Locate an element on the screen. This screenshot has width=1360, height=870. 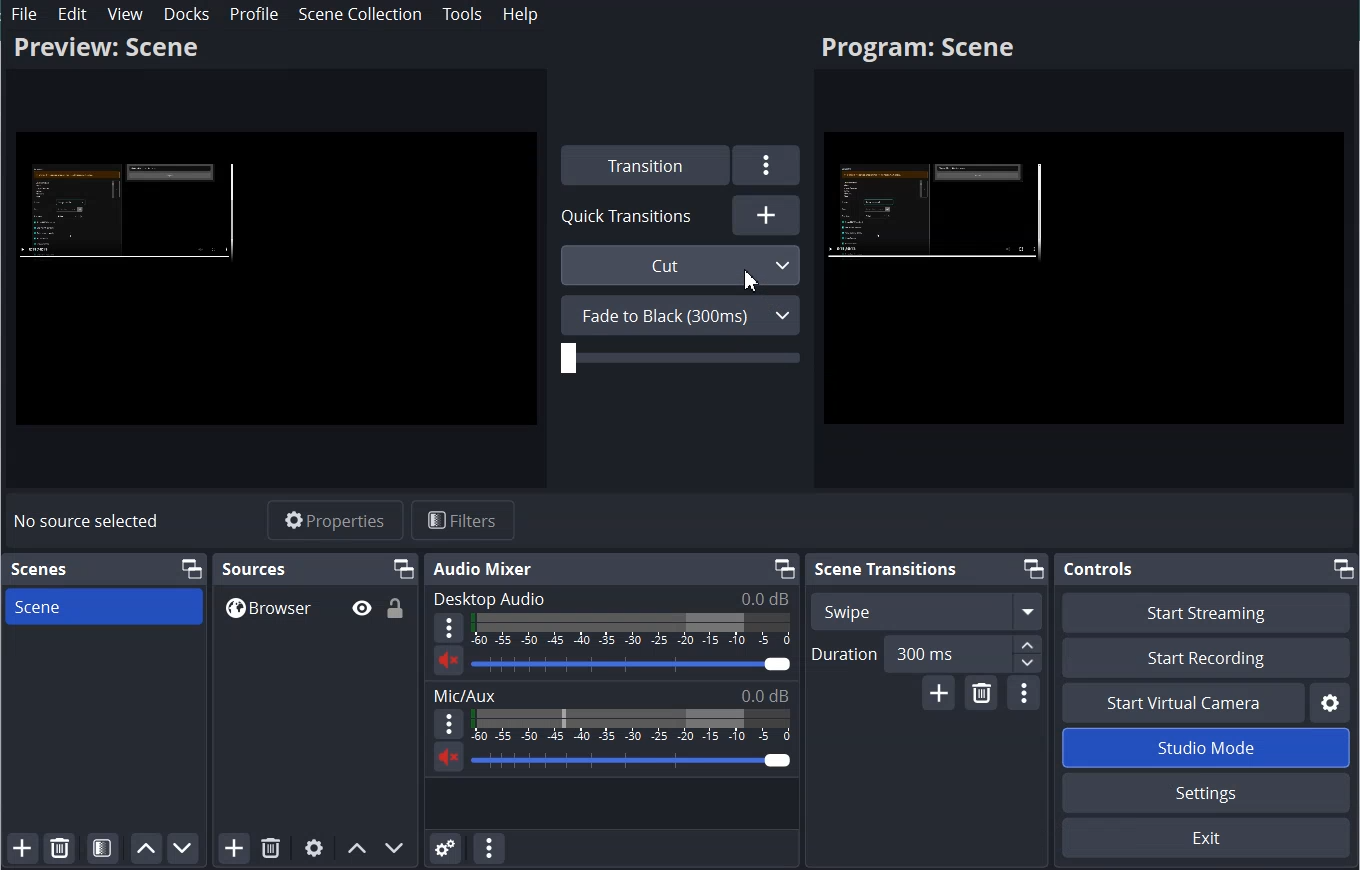
Maximize is located at coordinates (1034, 569).